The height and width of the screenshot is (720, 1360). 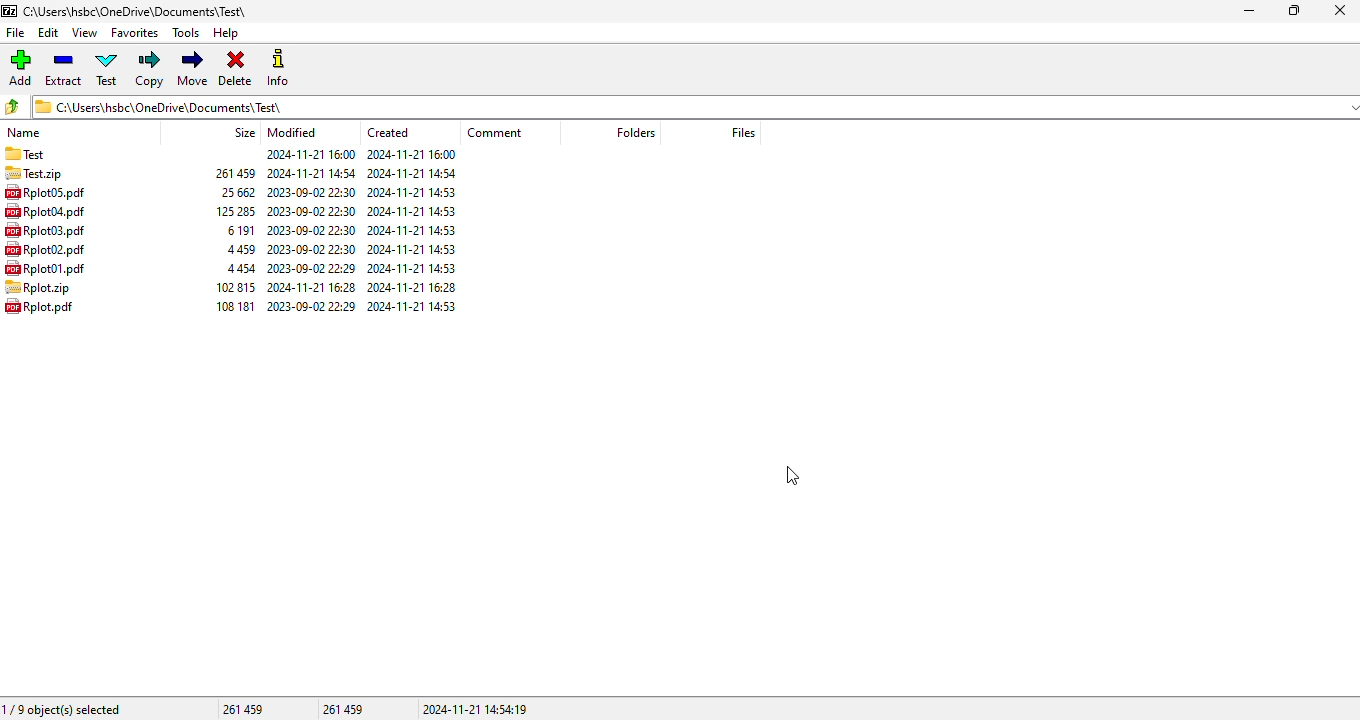 What do you see at coordinates (412, 268) in the screenshot?
I see `created date & time` at bounding box center [412, 268].